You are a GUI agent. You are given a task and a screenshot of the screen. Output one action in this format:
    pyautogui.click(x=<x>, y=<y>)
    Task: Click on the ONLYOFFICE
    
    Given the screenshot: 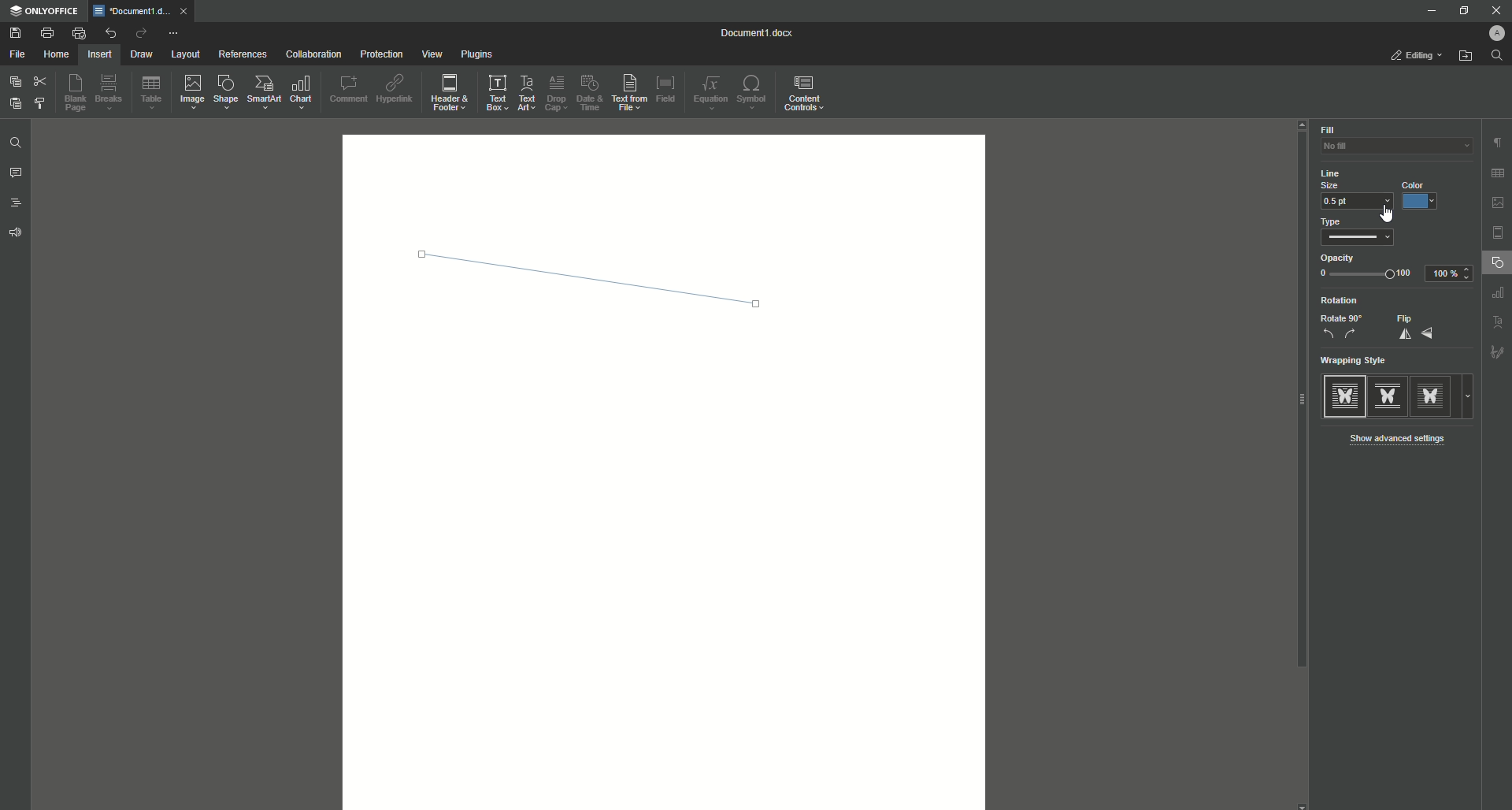 What is the action you would take?
    pyautogui.click(x=47, y=11)
    